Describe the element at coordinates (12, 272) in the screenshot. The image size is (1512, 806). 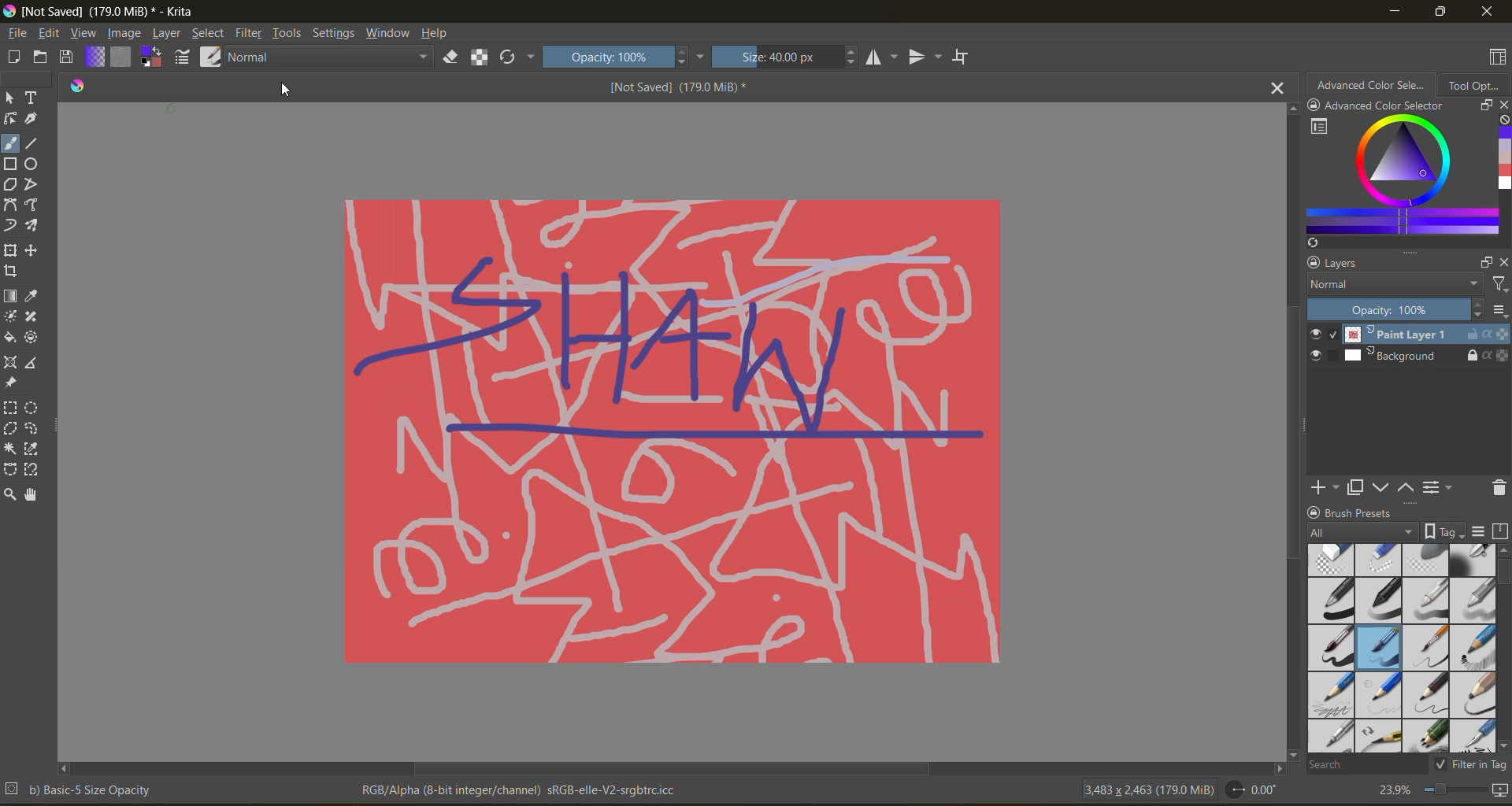
I see `crop tool` at that location.